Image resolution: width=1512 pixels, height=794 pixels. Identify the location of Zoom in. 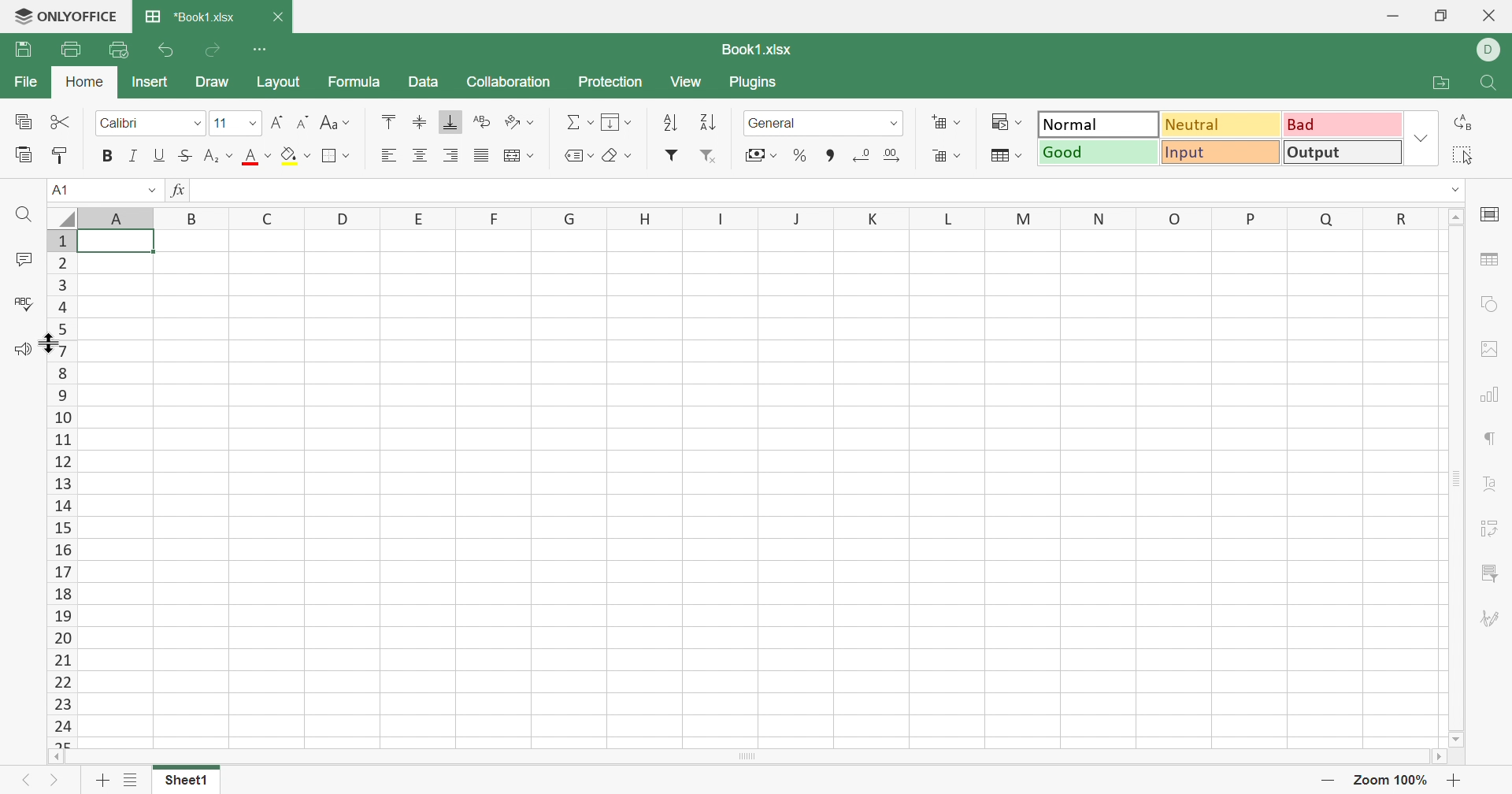
(1455, 781).